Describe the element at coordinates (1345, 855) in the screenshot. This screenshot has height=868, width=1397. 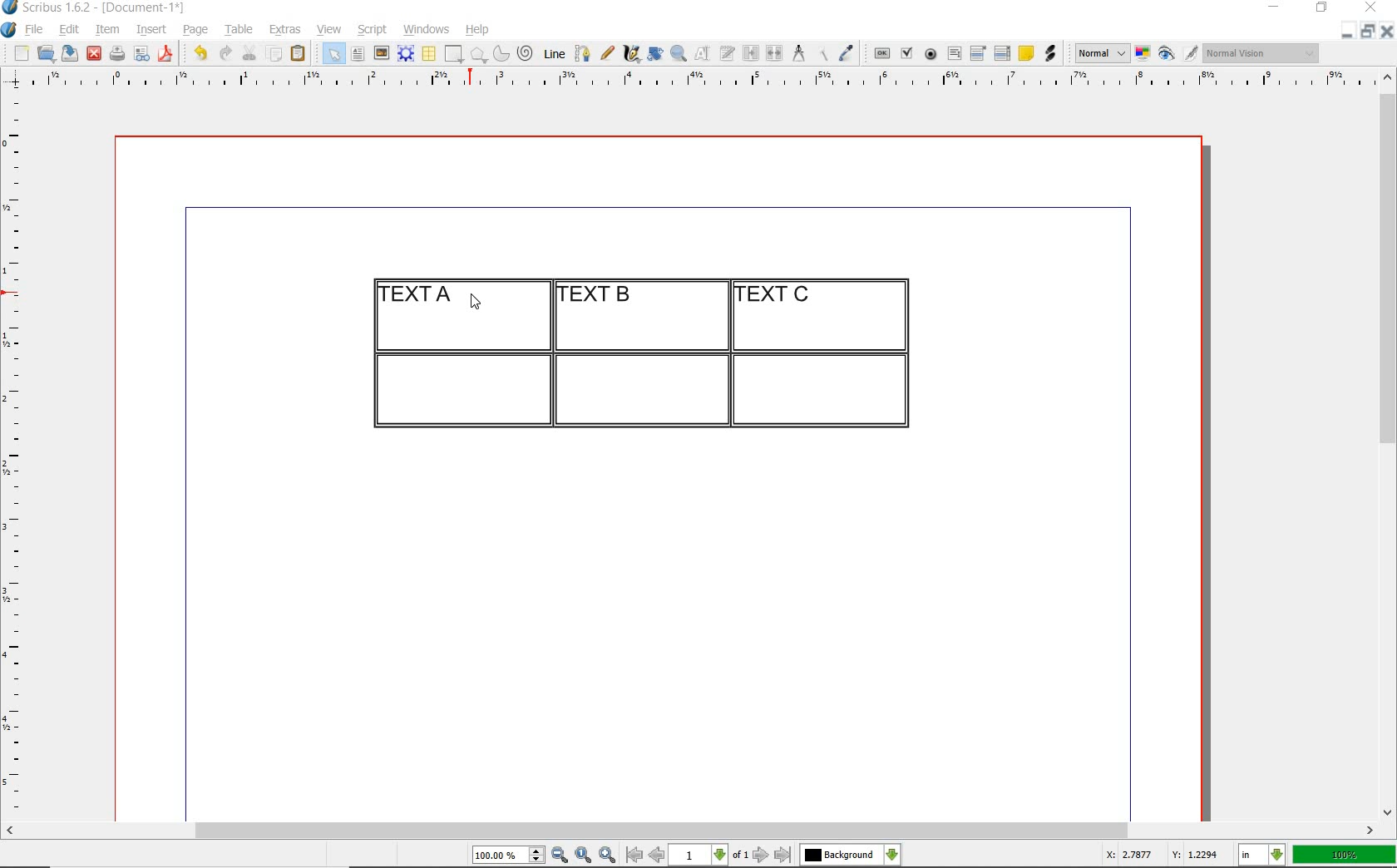
I see `100%` at that location.